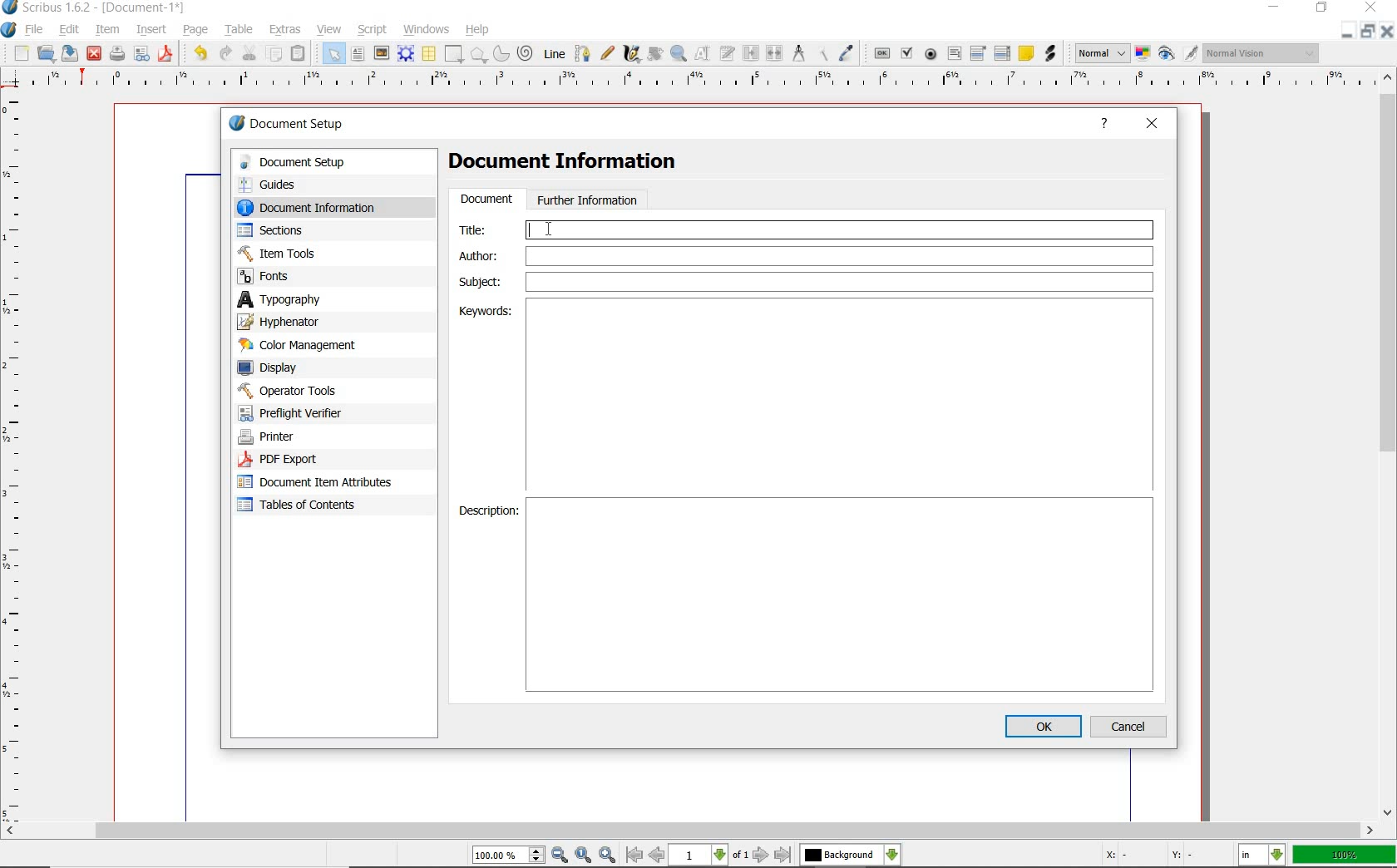 This screenshot has height=868, width=1397. Describe the element at coordinates (227, 54) in the screenshot. I see `redo` at that location.